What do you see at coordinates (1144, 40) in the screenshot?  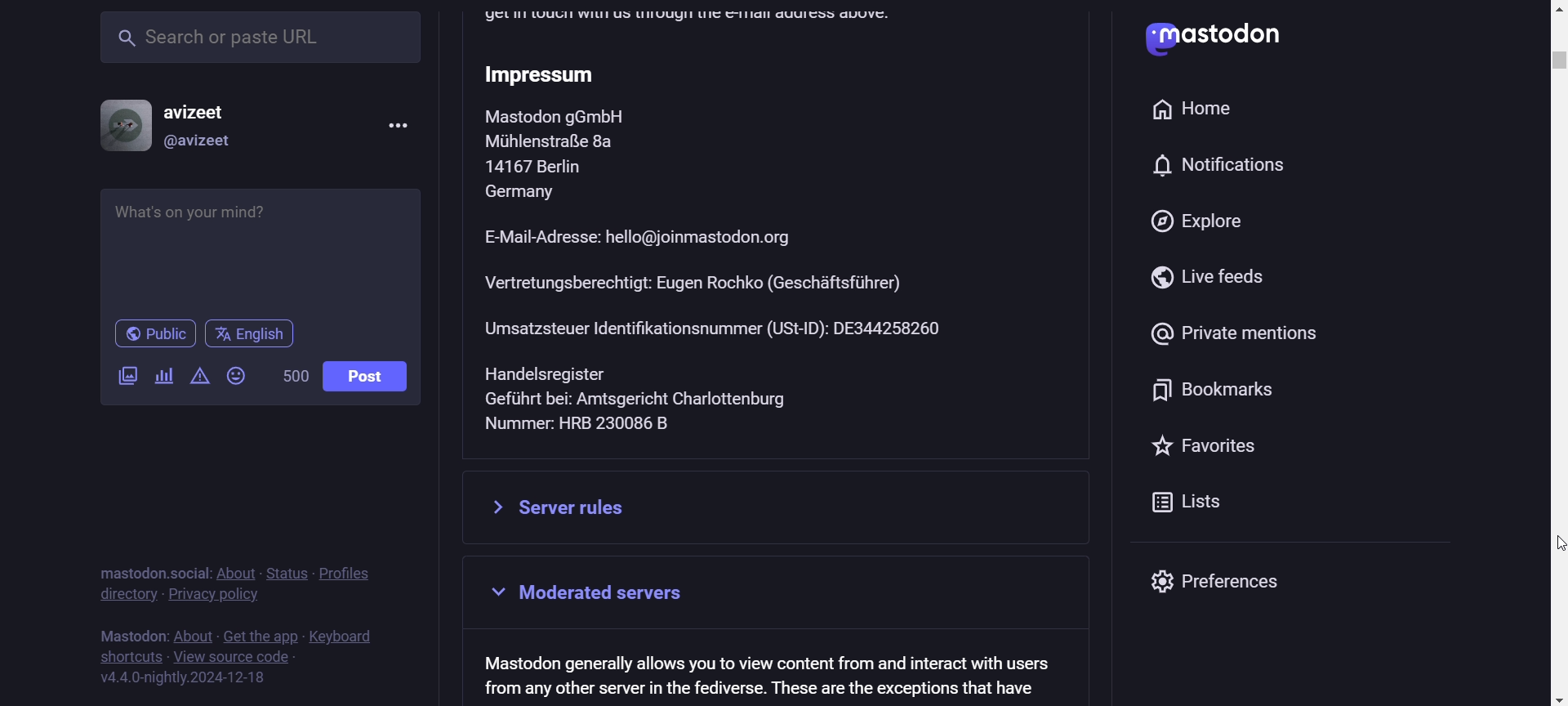 I see `logo` at bounding box center [1144, 40].